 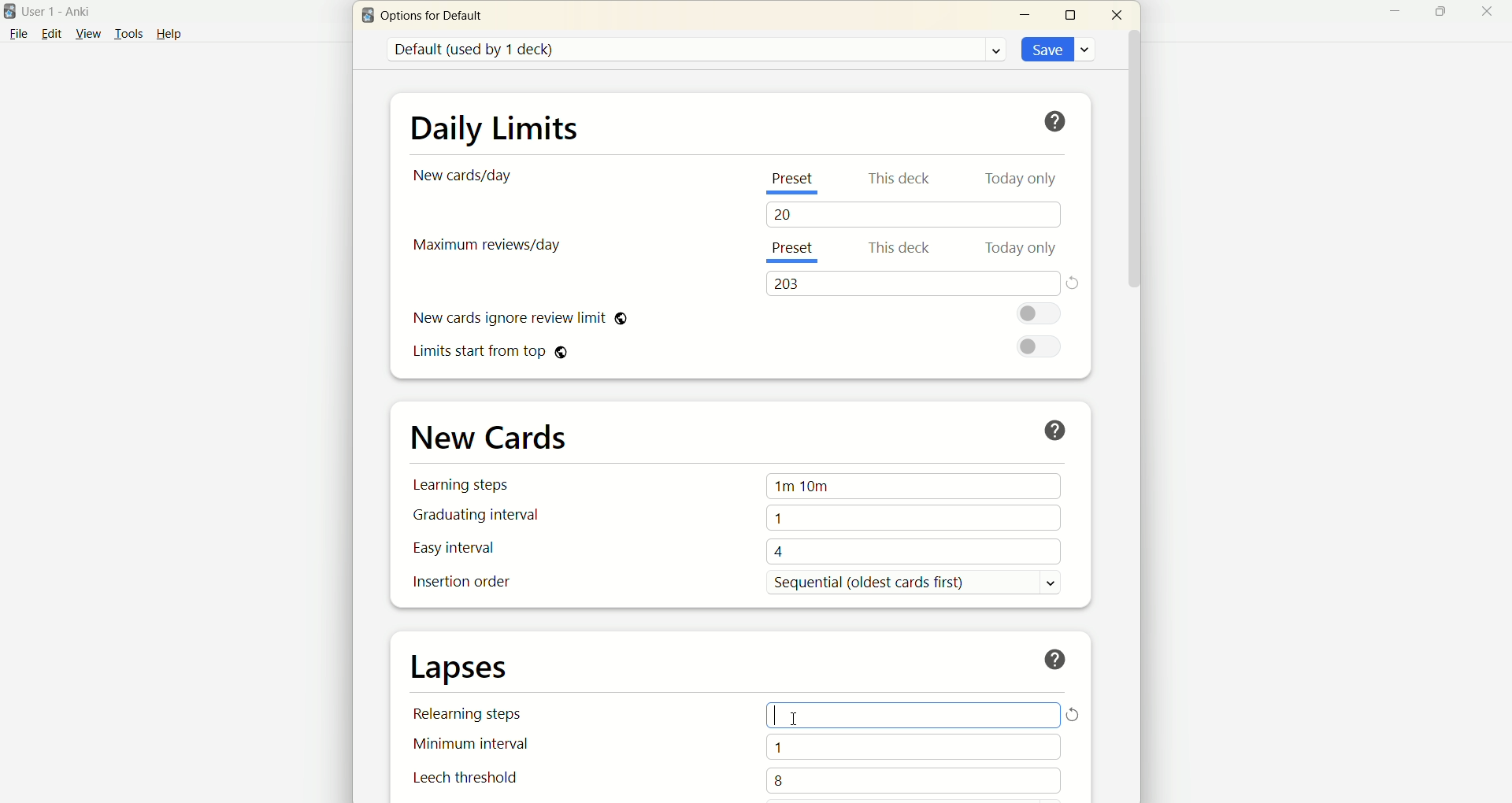 I want to click on learning steps, so click(x=465, y=484).